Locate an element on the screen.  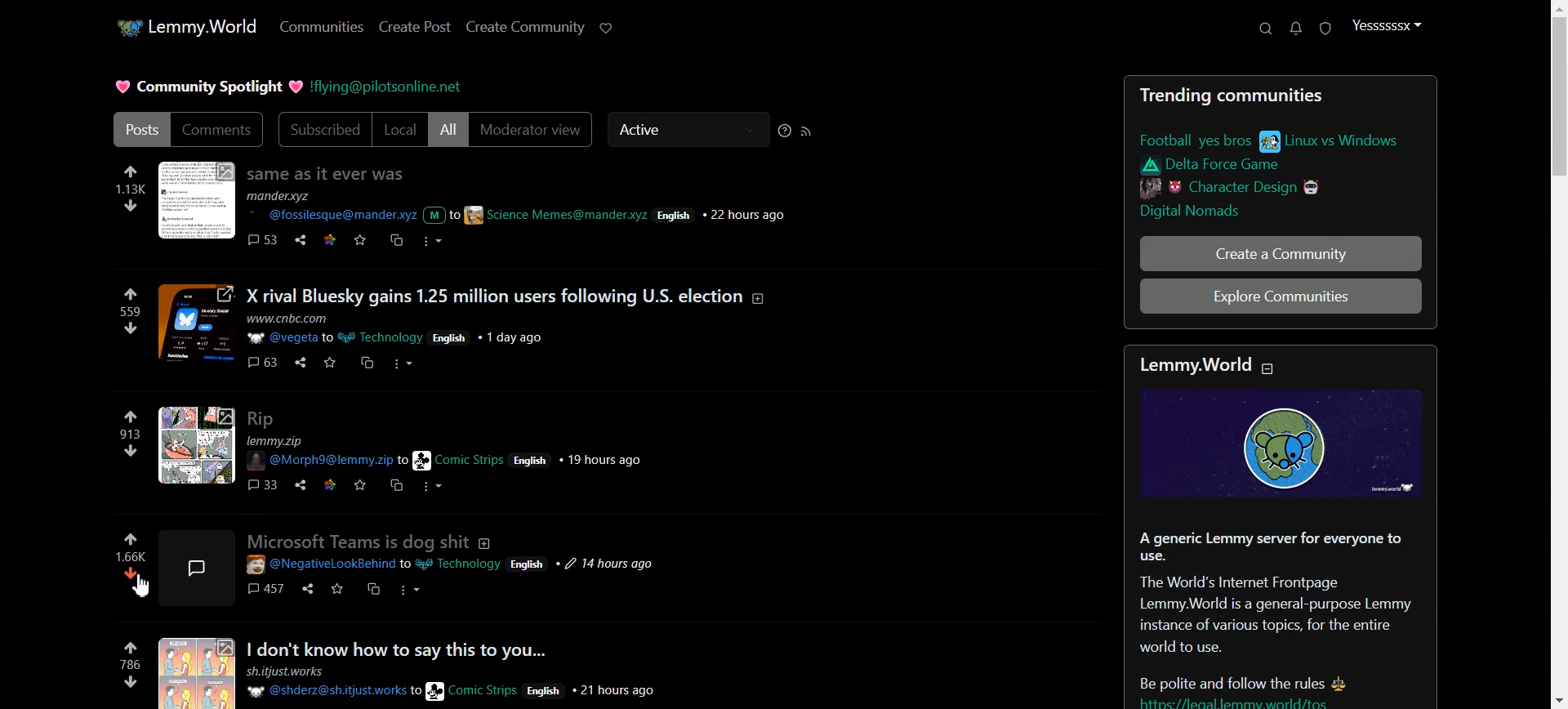
Text is located at coordinates (207, 86).